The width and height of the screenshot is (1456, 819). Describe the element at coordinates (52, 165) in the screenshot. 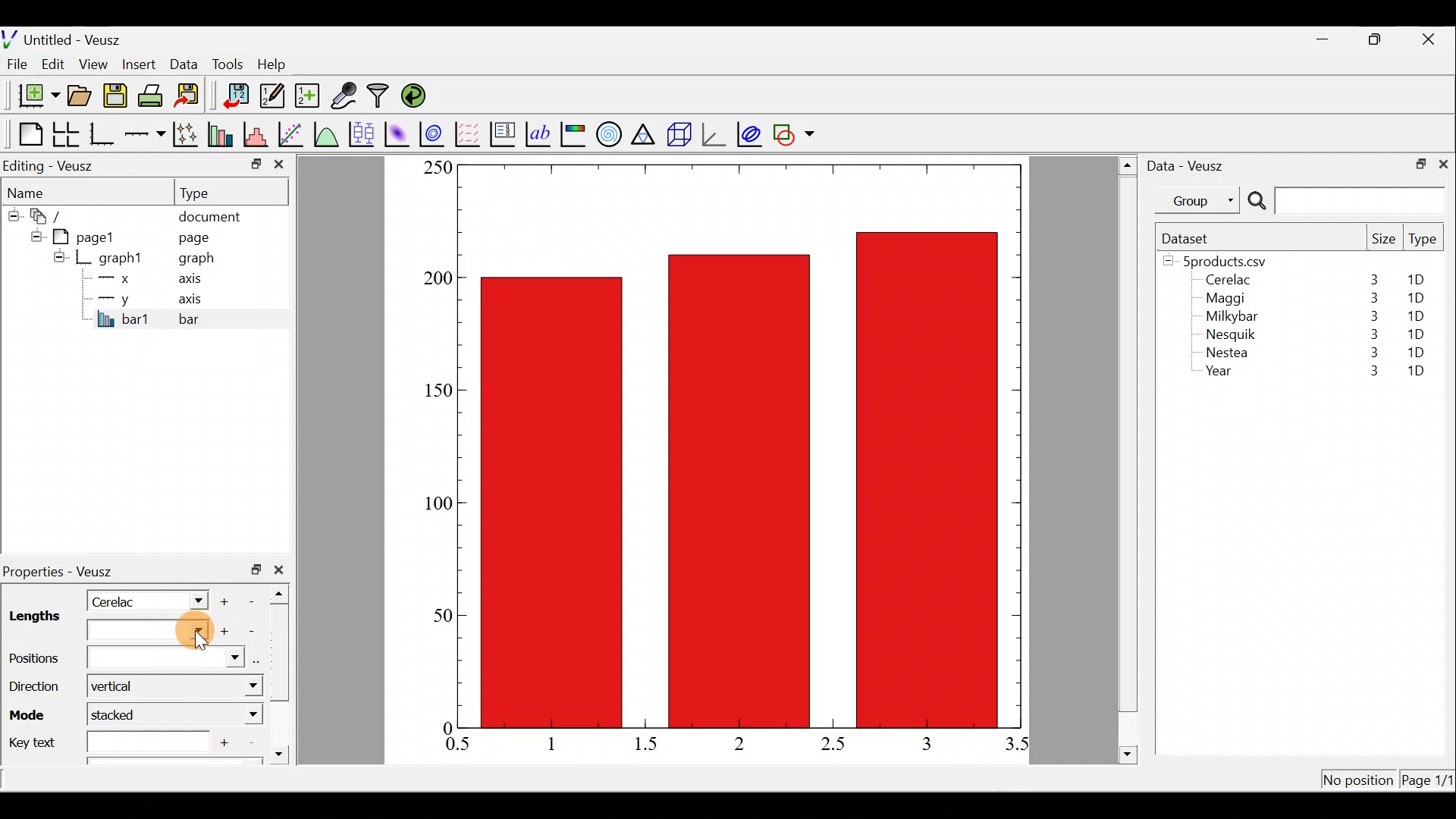

I see `Editing - Veusz` at that location.